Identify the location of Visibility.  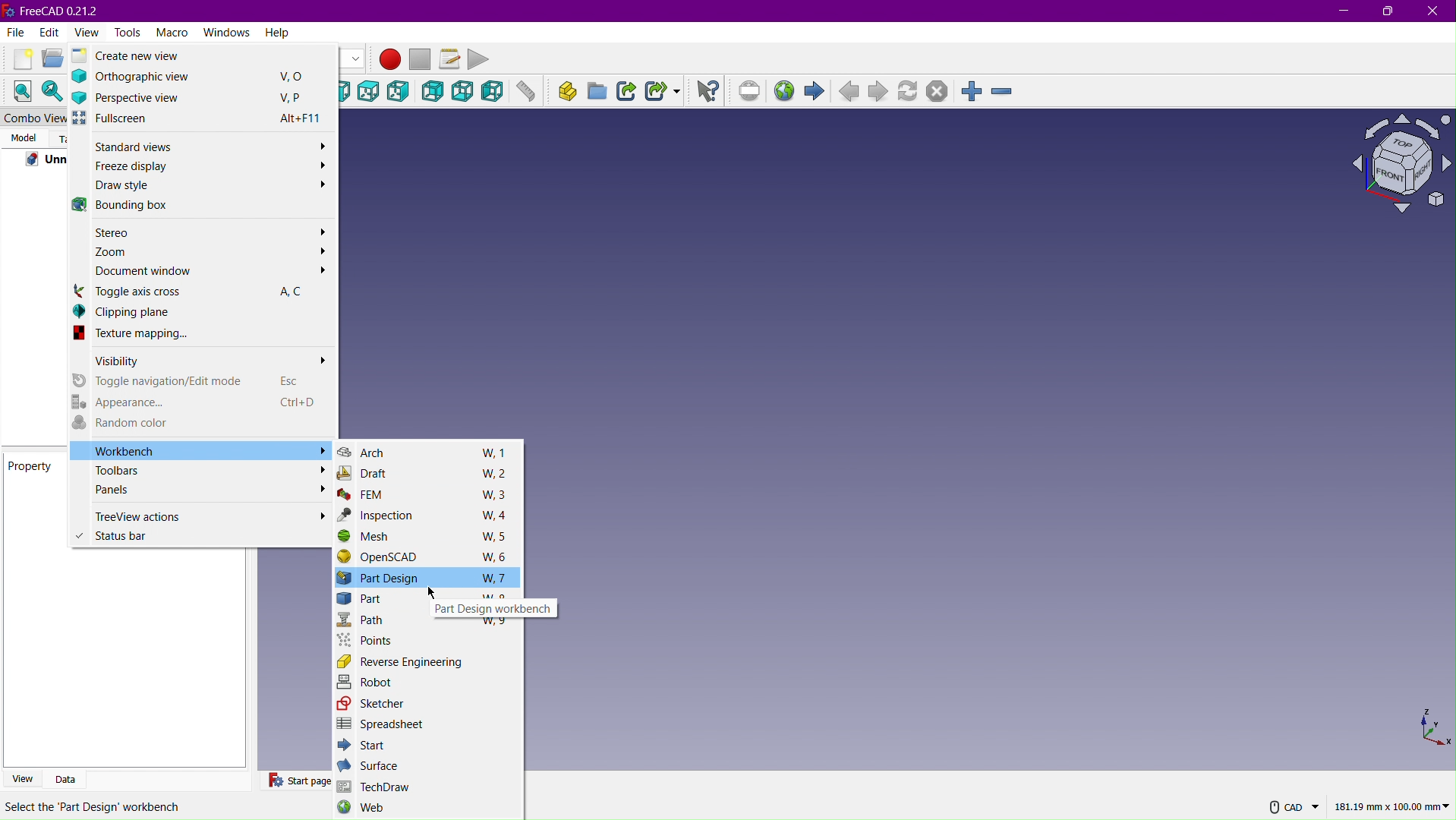
(205, 358).